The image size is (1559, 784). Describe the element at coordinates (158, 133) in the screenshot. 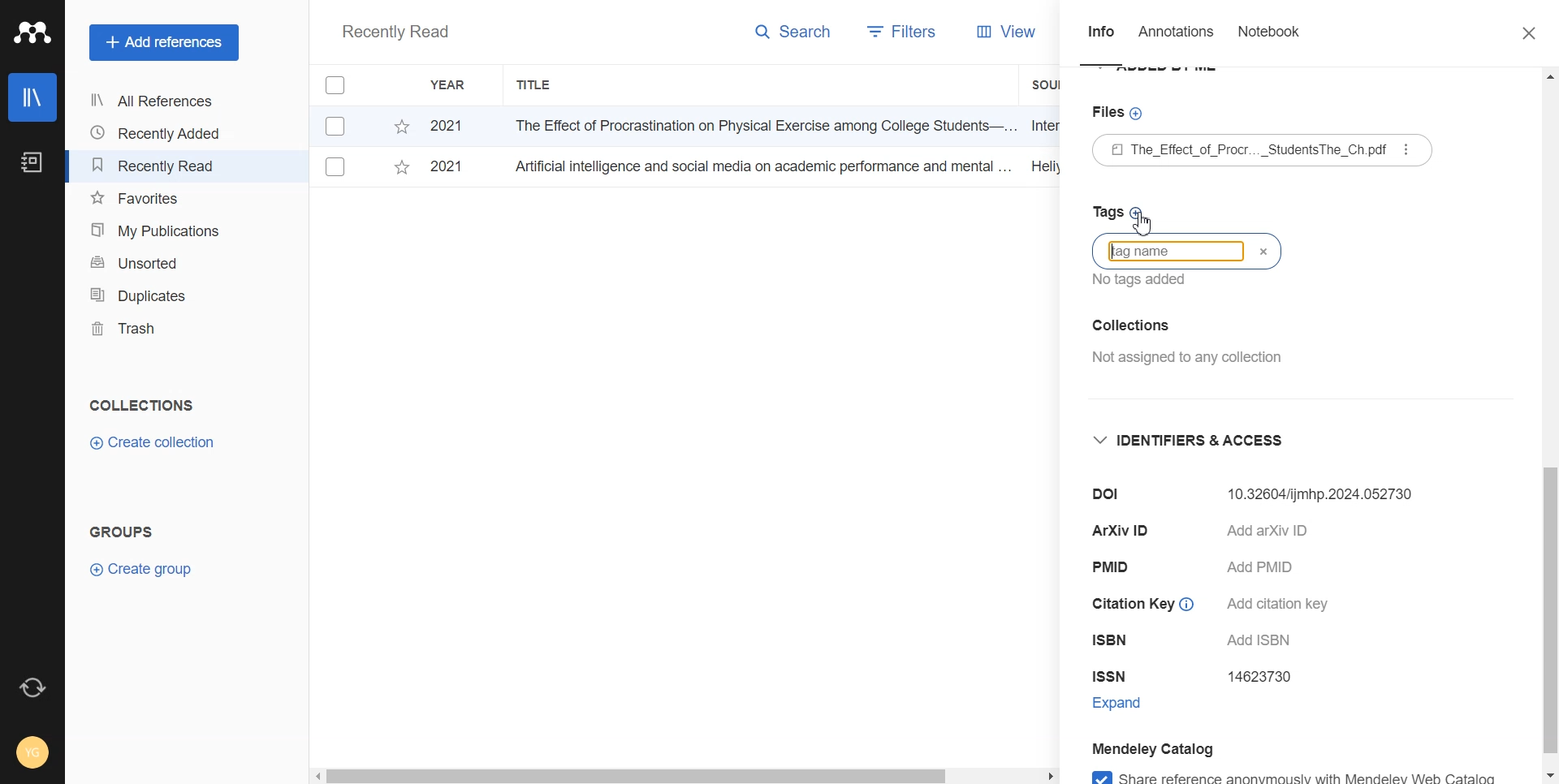

I see `Recently Added` at that location.